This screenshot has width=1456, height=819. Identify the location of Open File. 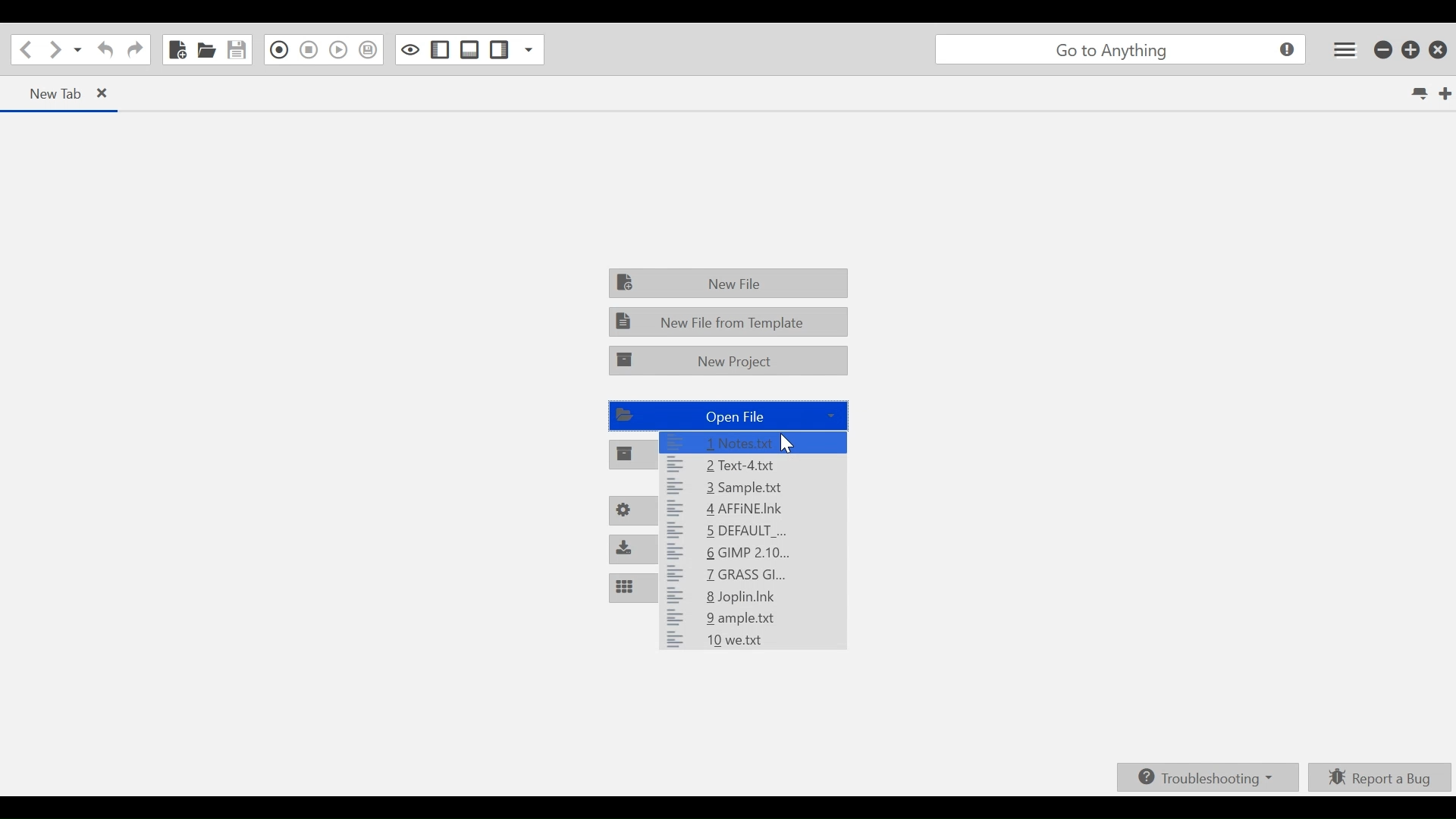
(727, 416).